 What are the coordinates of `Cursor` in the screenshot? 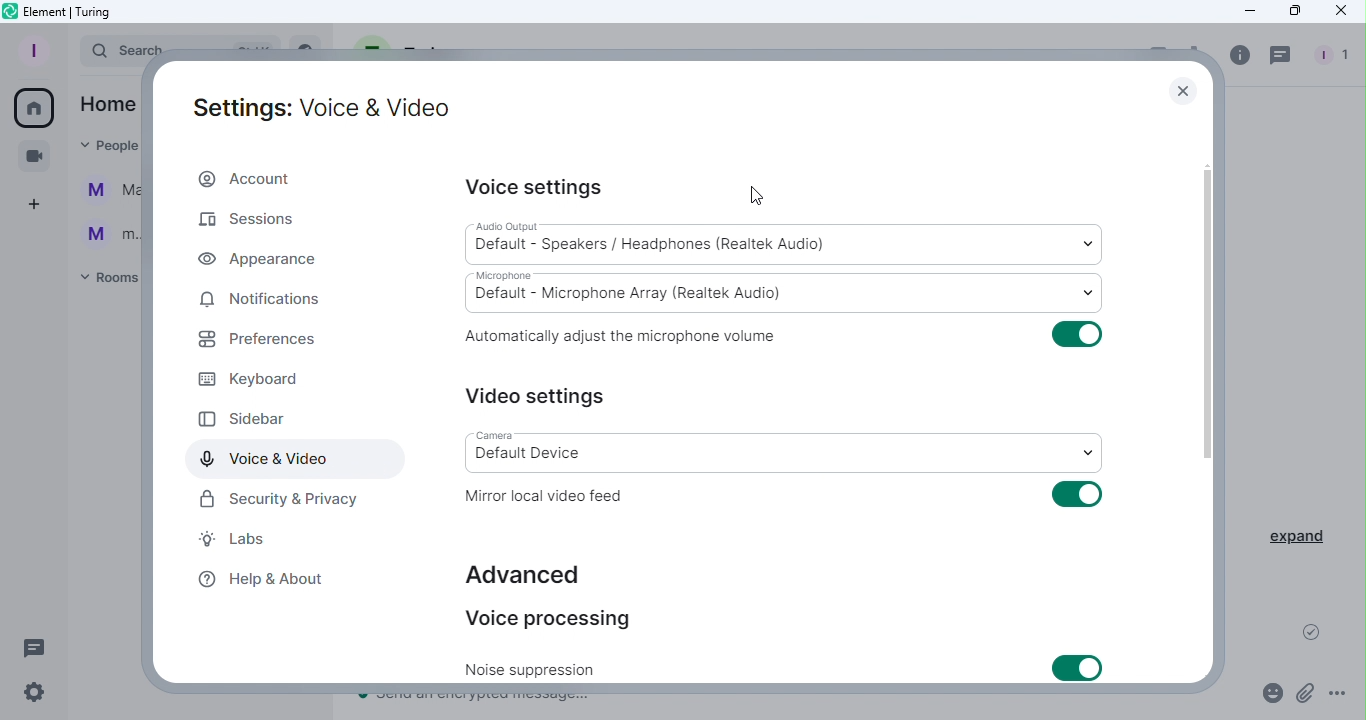 It's located at (756, 196).